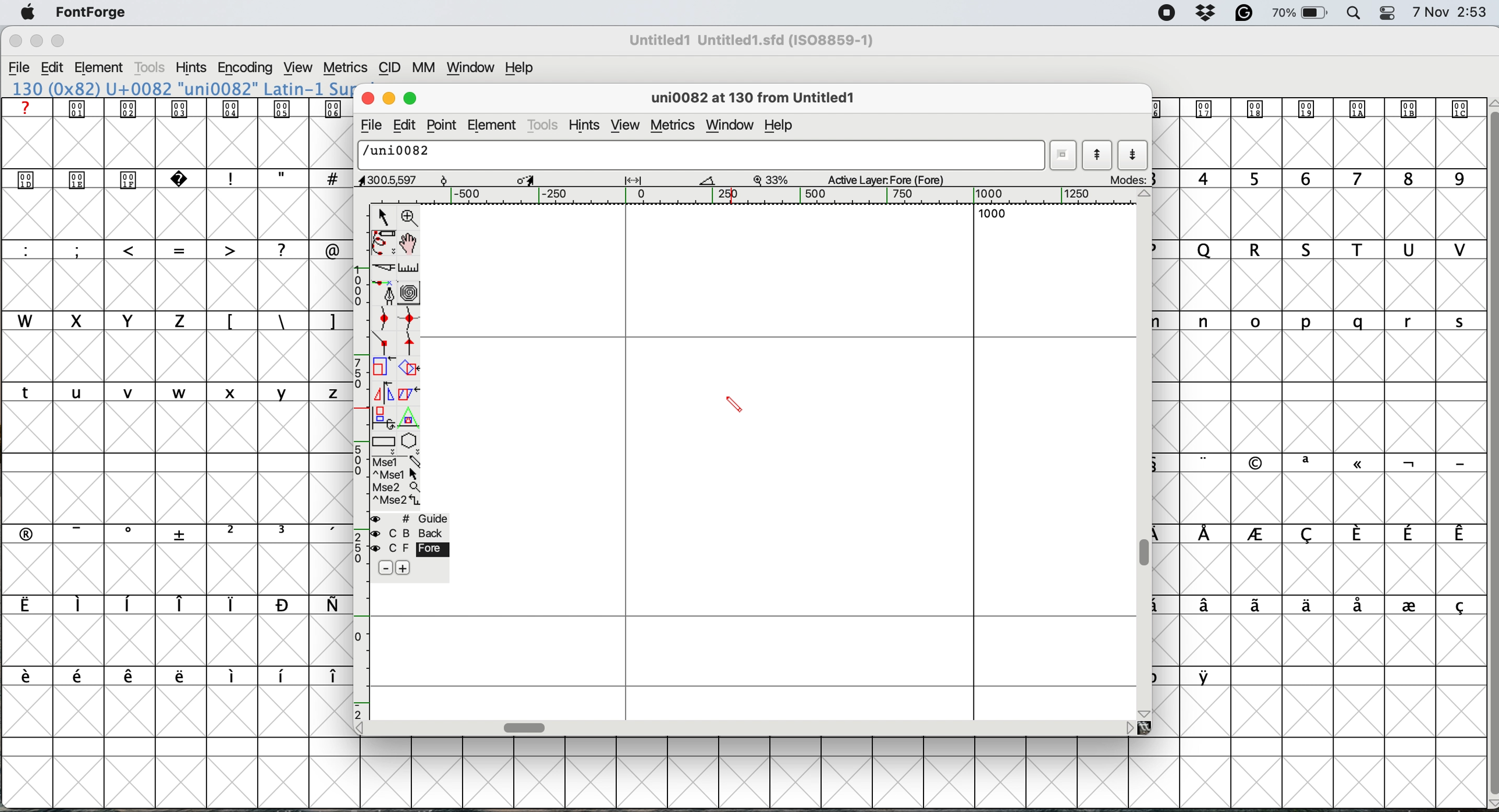  Describe the element at coordinates (91, 12) in the screenshot. I see `fontforge` at that location.